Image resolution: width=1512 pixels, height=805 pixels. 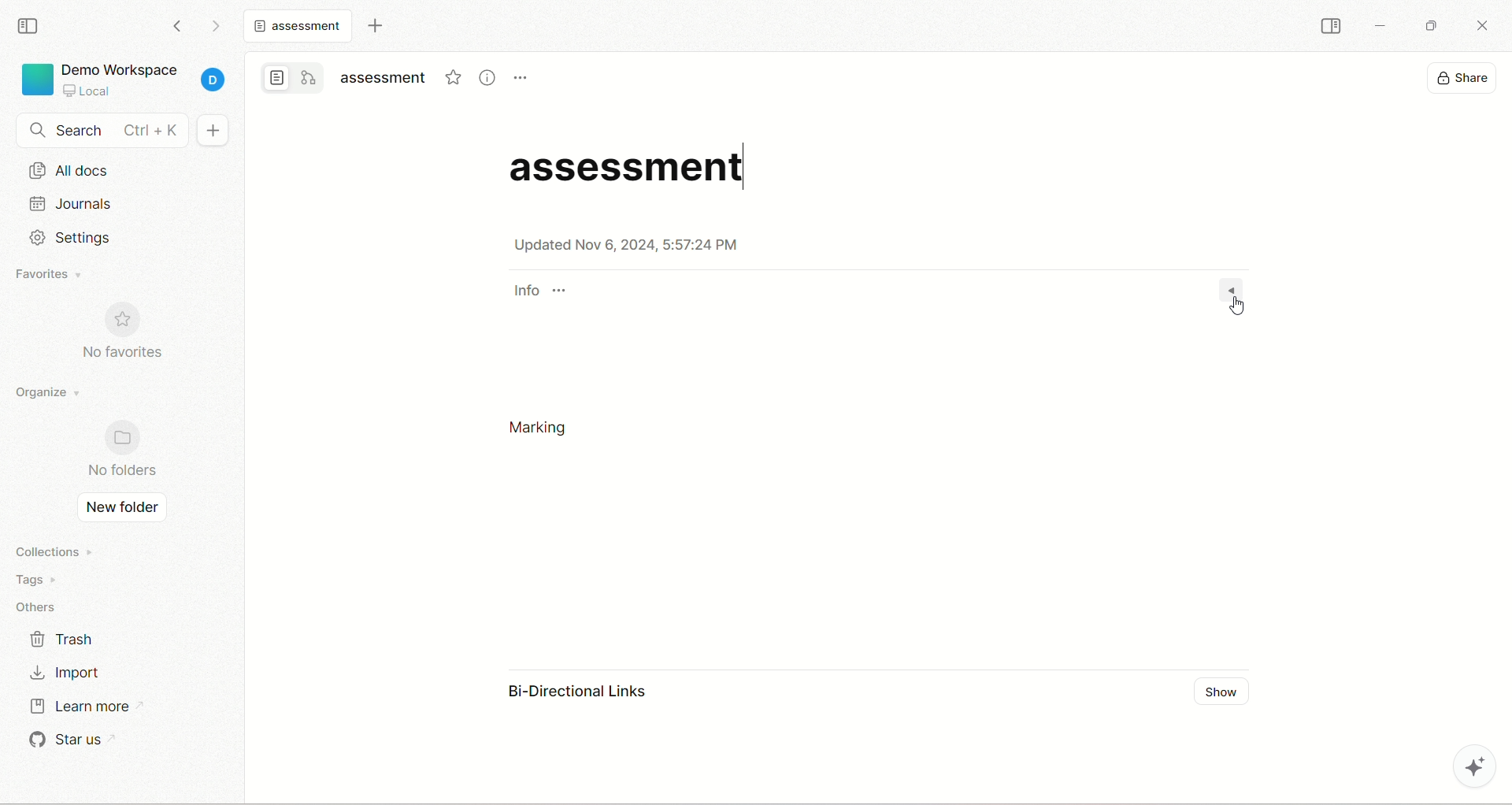 What do you see at coordinates (273, 79) in the screenshot?
I see `page mode` at bounding box center [273, 79].